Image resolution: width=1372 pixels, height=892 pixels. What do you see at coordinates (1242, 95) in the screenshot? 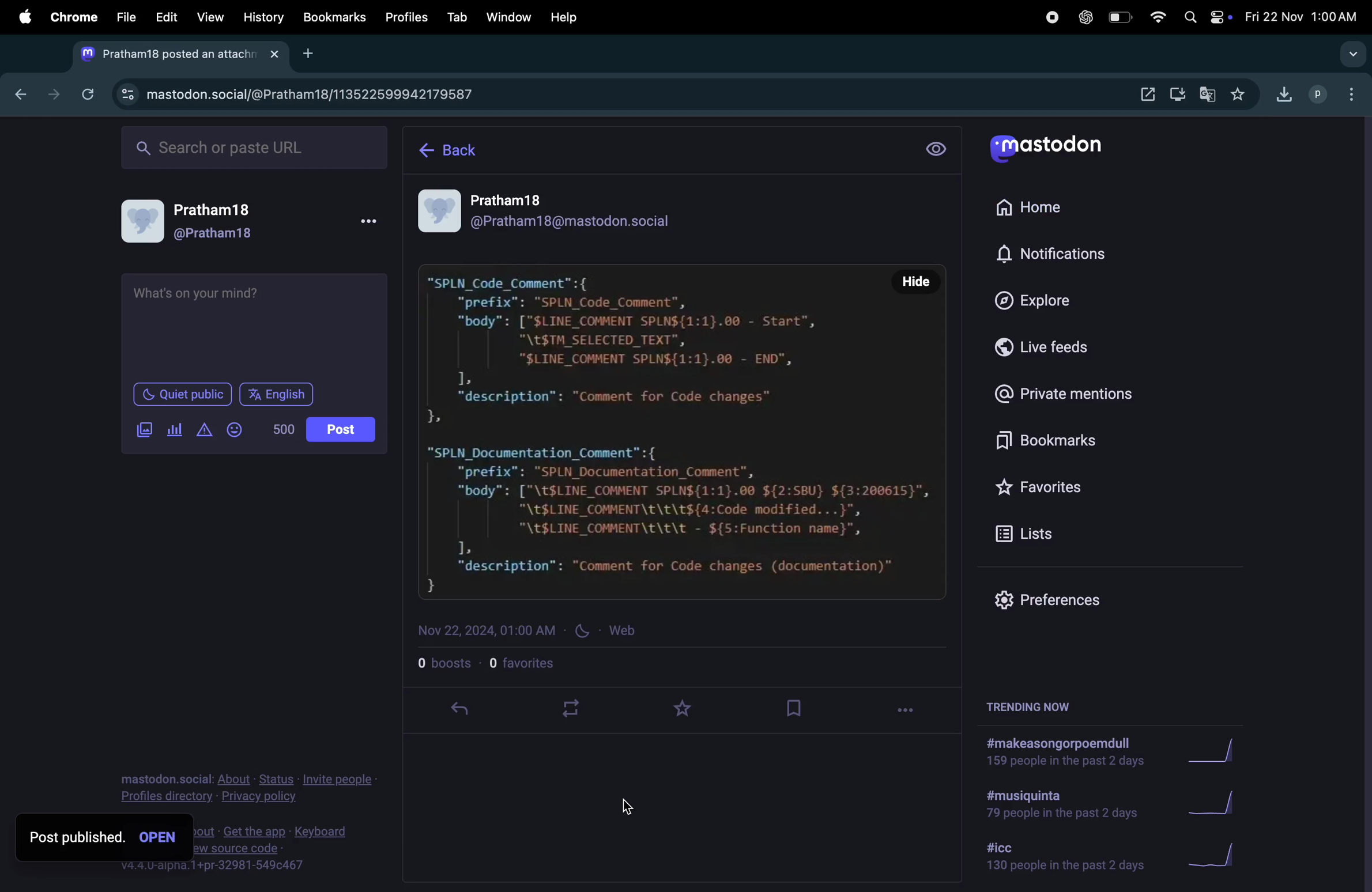
I see `favourite` at bounding box center [1242, 95].